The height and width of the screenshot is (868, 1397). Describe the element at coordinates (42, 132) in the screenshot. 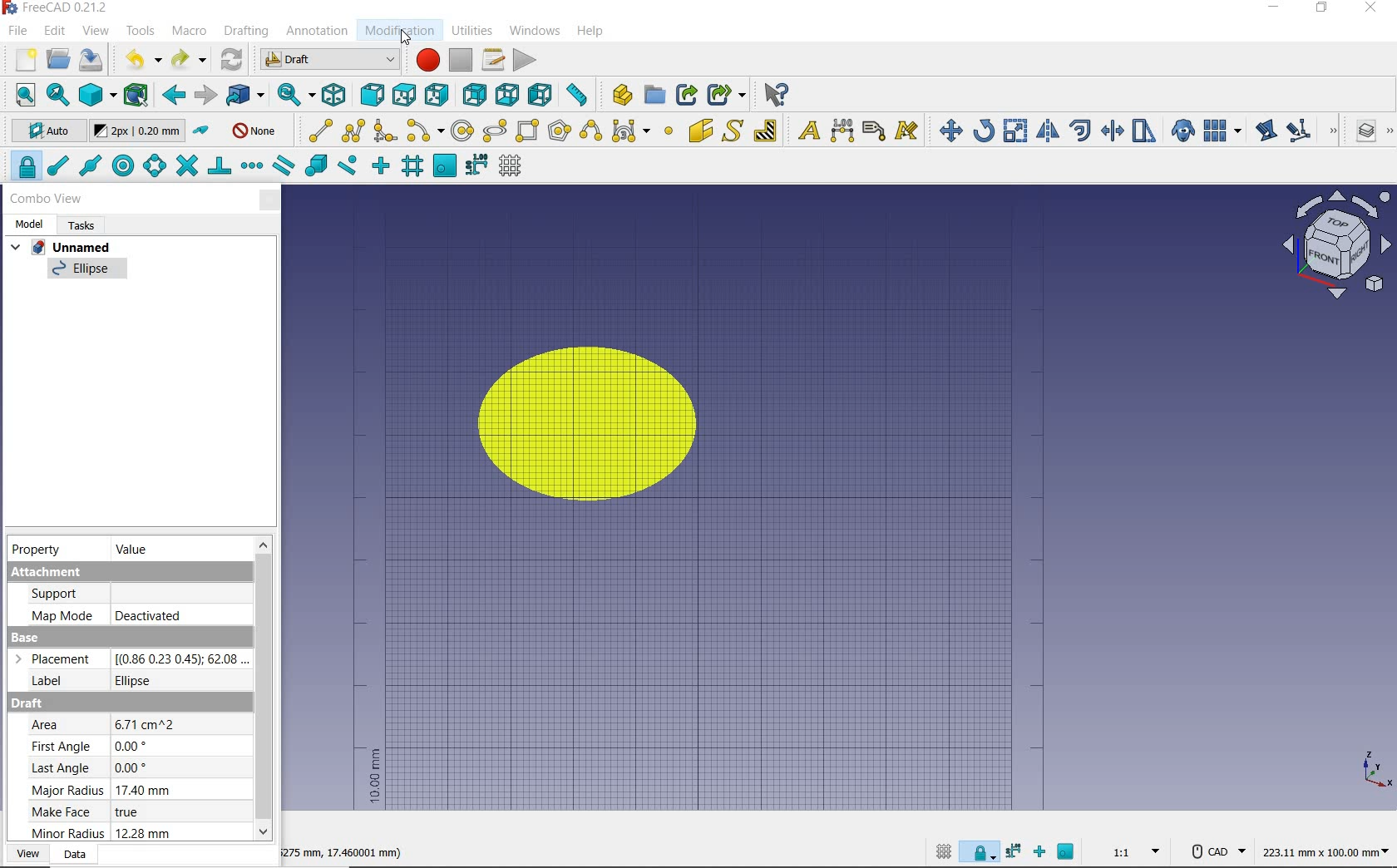

I see `current working plane: auto` at that location.